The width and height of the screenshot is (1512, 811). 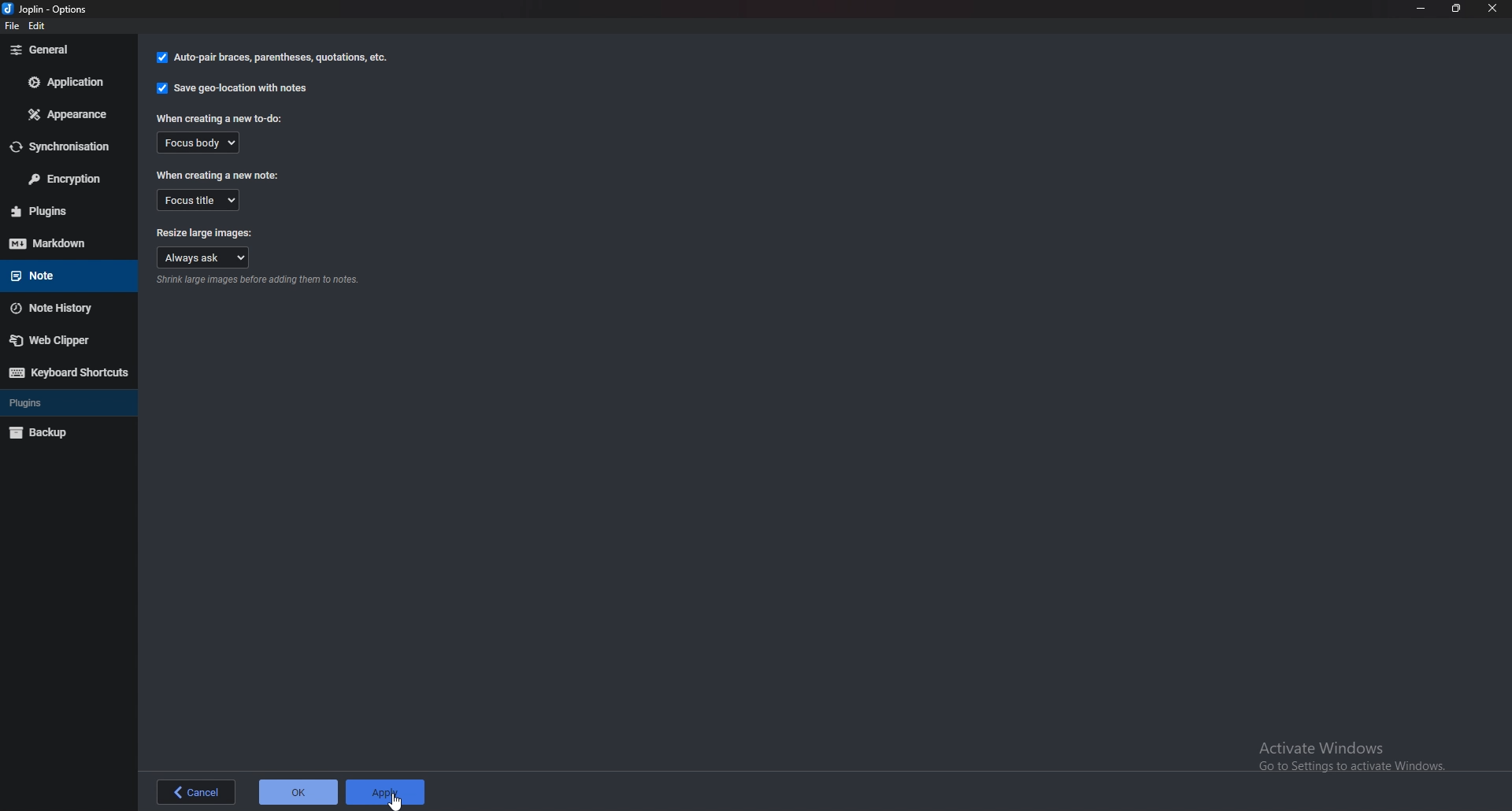 What do you see at coordinates (204, 230) in the screenshot?
I see `Resize large images` at bounding box center [204, 230].